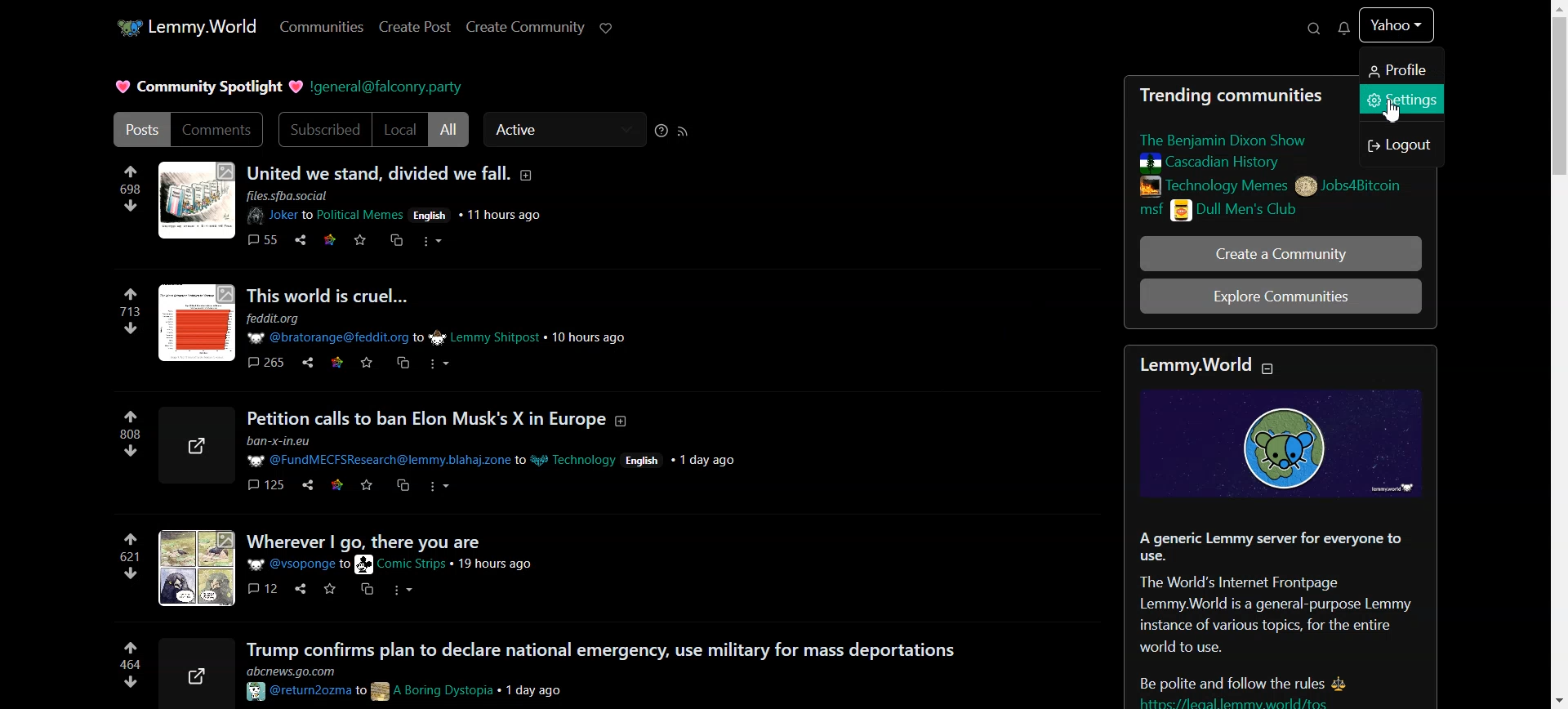  I want to click on copy, so click(403, 489).